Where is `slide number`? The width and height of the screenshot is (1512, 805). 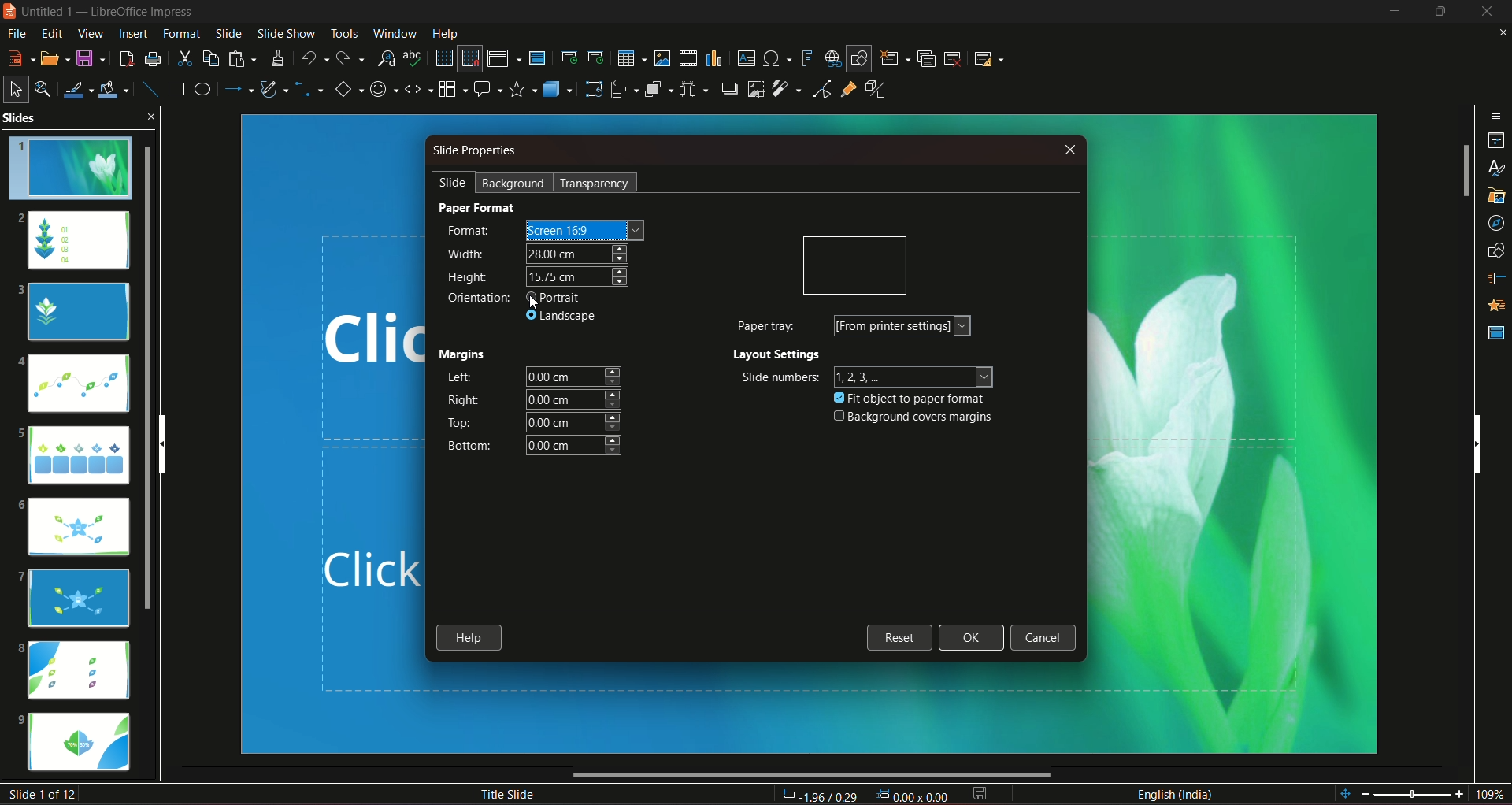
slide number is located at coordinates (46, 794).